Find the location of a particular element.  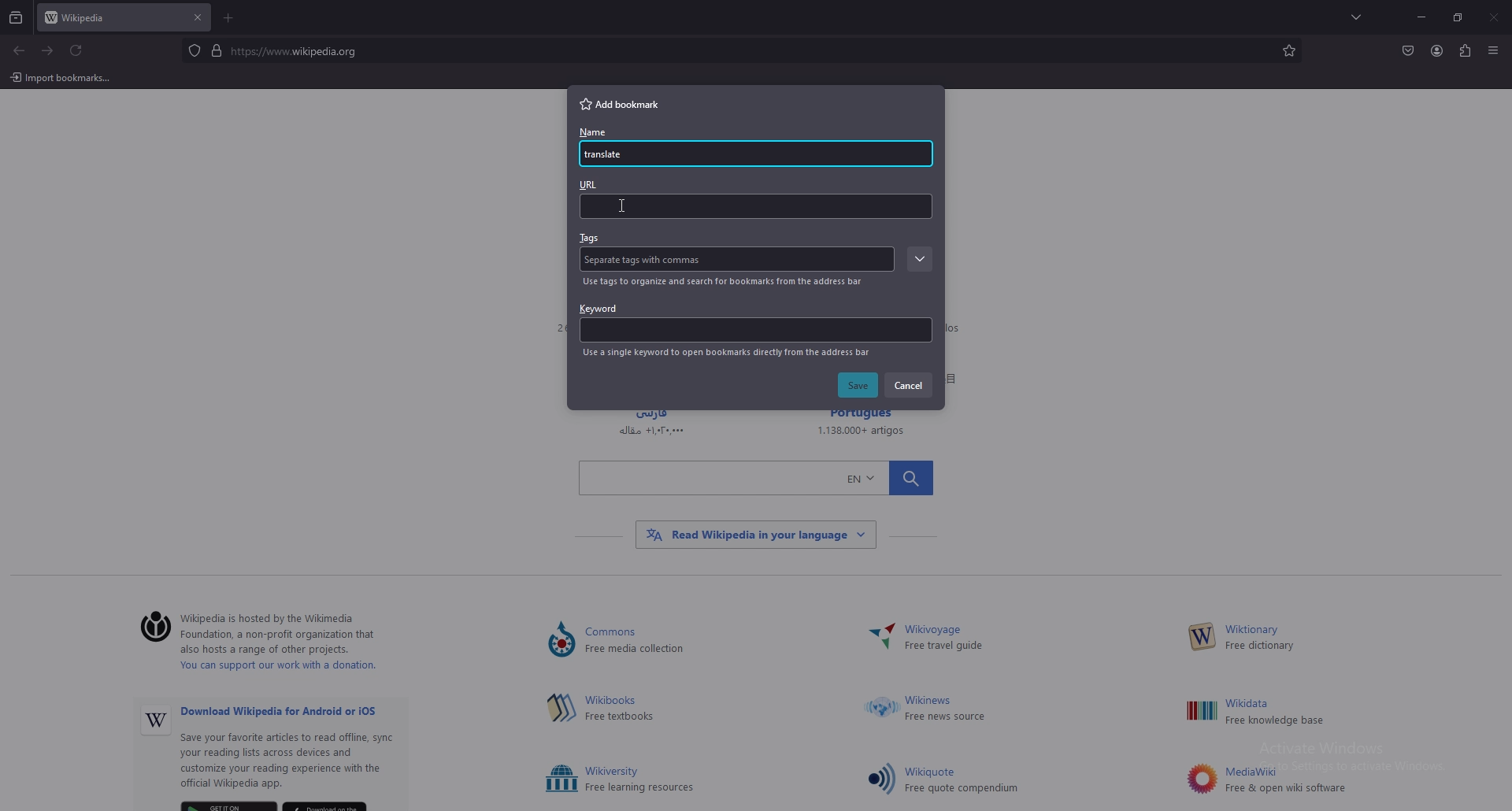

 is located at coordinates (1495, 19).